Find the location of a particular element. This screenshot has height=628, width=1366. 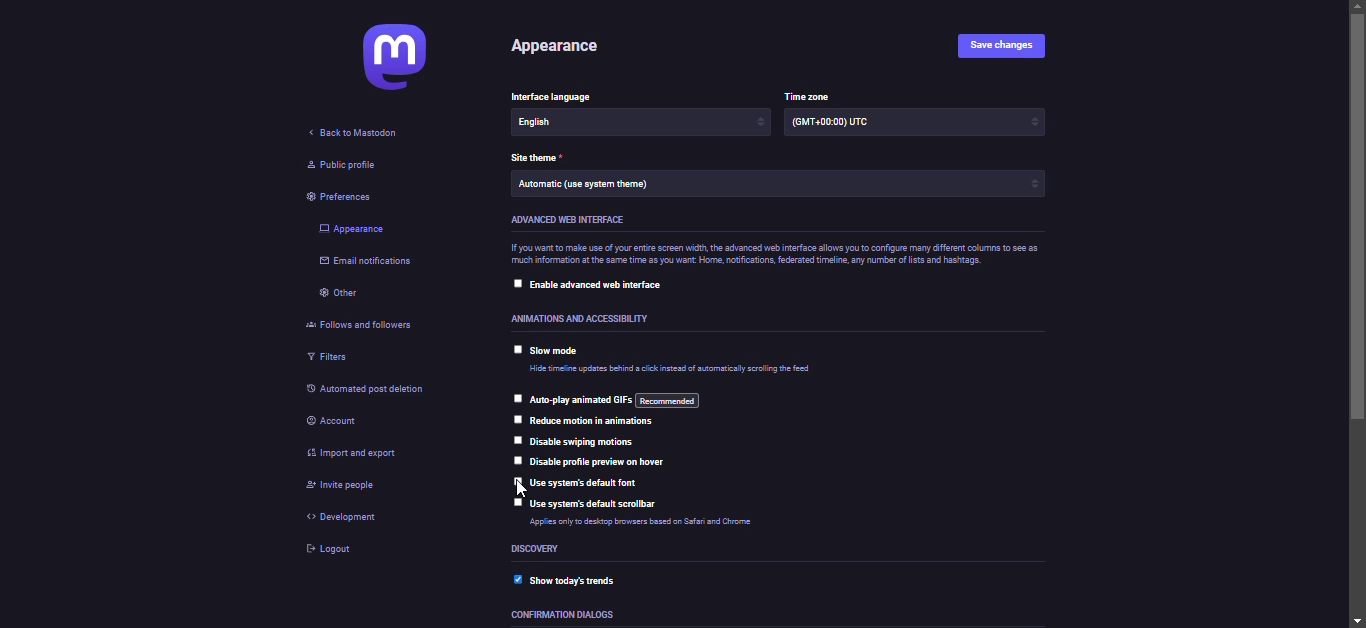

other is located at coordinates (341, 295).